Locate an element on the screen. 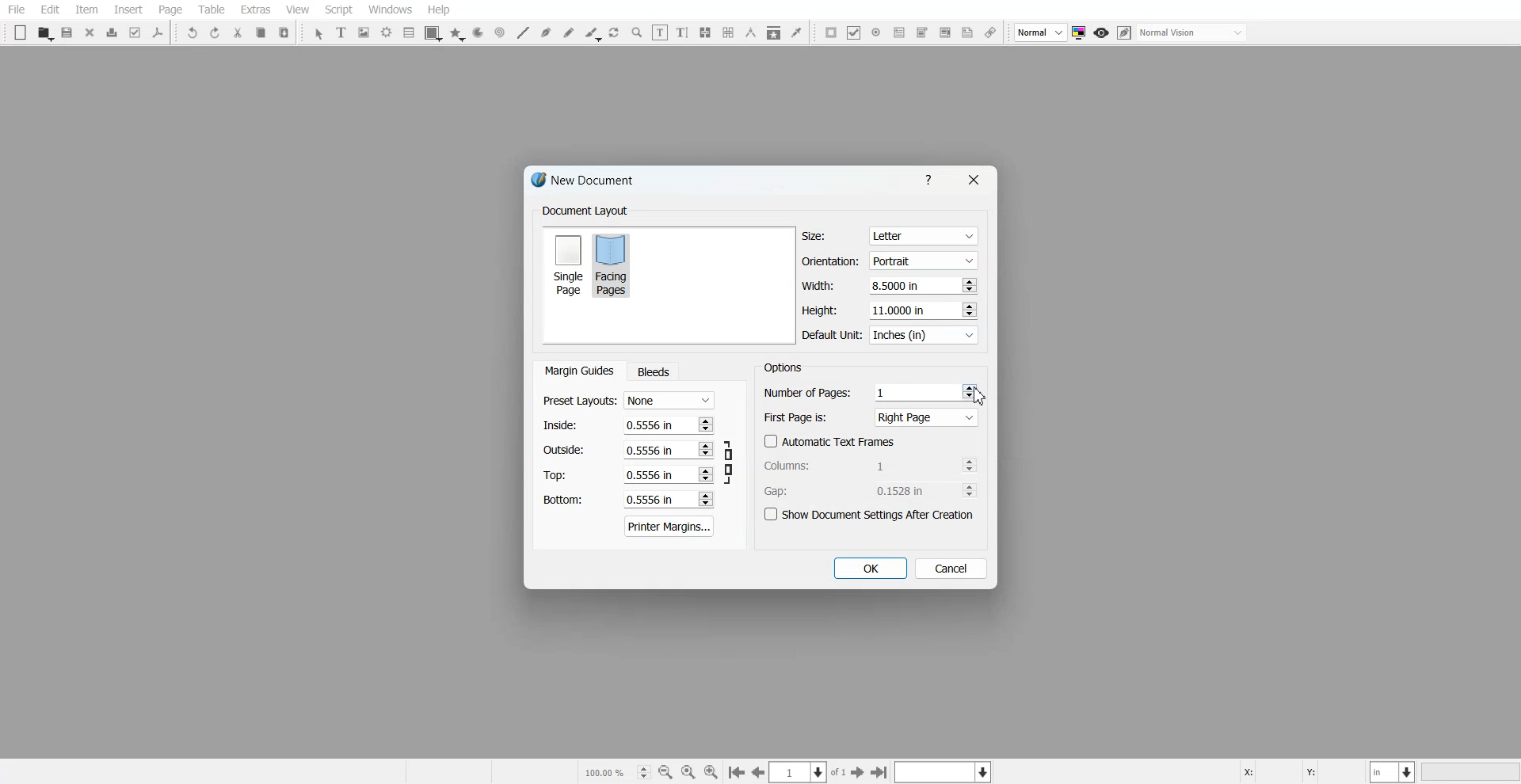 This screenshot has height=784, width=1521. Text Annotation is located at coordinates (967, 33).